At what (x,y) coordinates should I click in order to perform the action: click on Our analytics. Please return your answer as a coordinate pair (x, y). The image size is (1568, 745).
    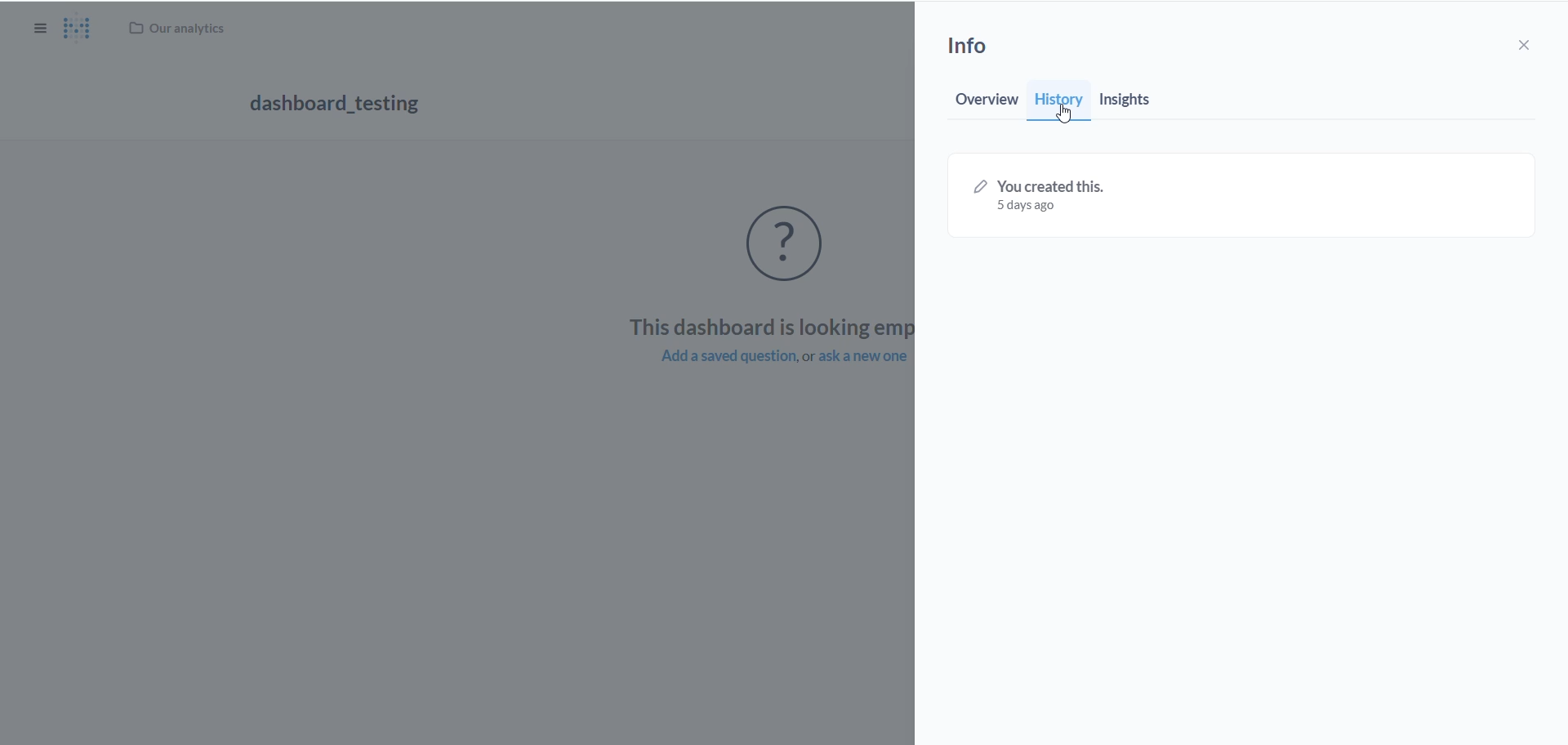
    Looking at the image, I should click on (180, 27).